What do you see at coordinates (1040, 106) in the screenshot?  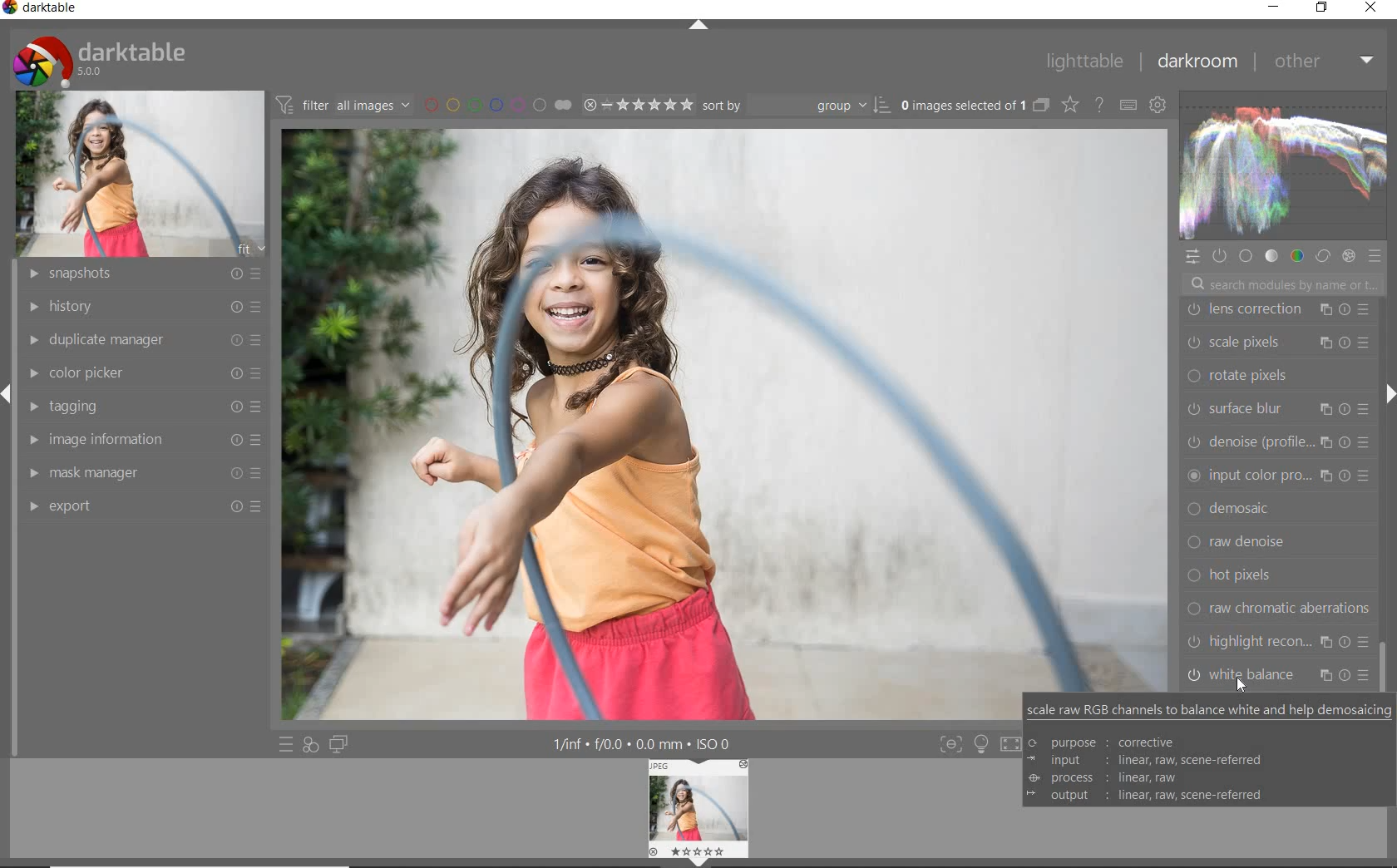 I see `collapse grouped images` at bounding box center [1040, 106].